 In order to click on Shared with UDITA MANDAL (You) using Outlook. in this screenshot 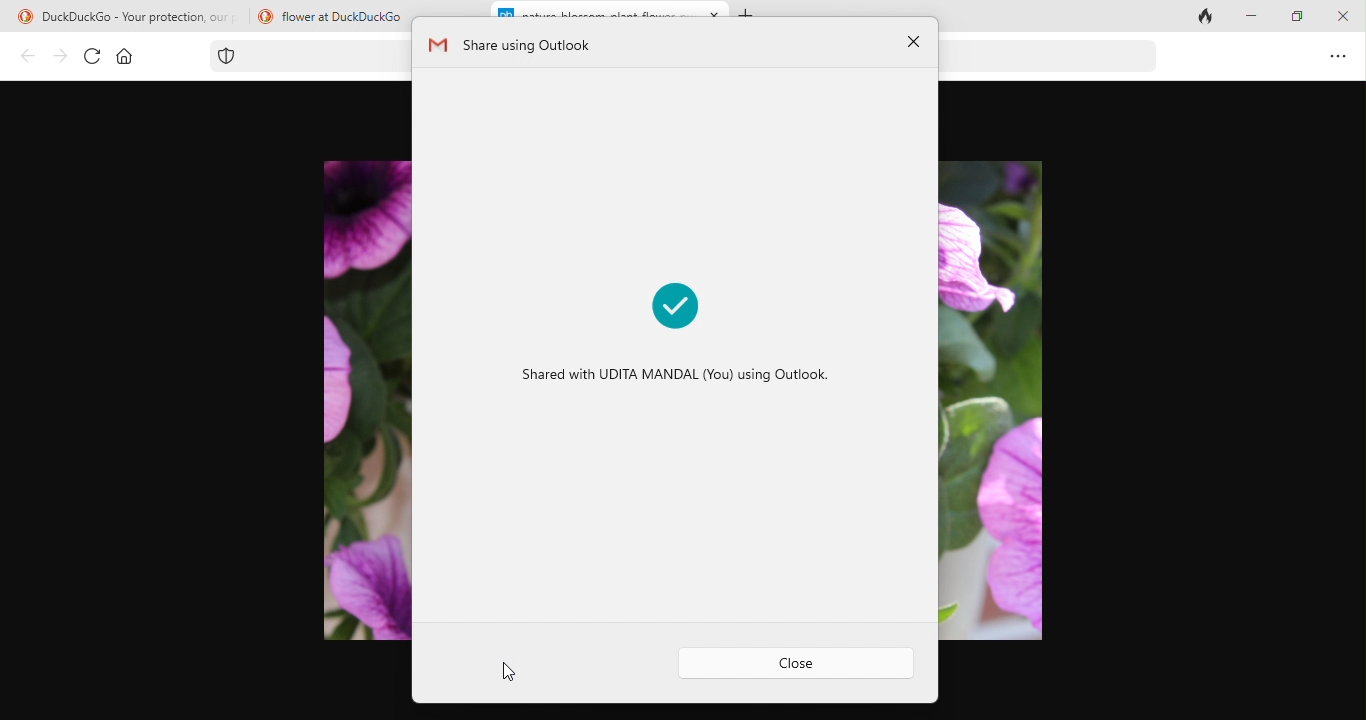, I will do `click(677, 381)`.